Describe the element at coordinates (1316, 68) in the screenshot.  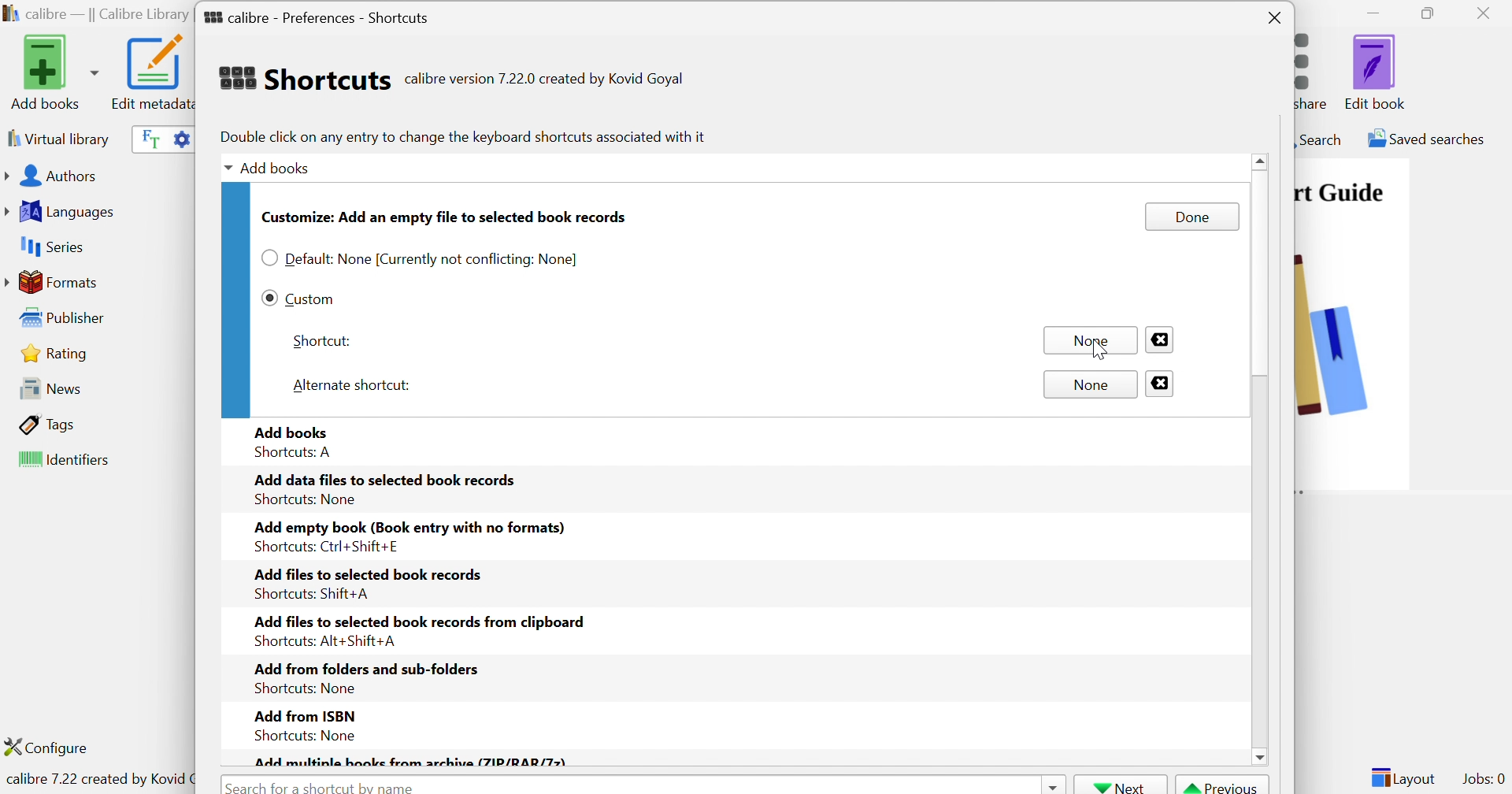
I see `Connect/share` at that location.